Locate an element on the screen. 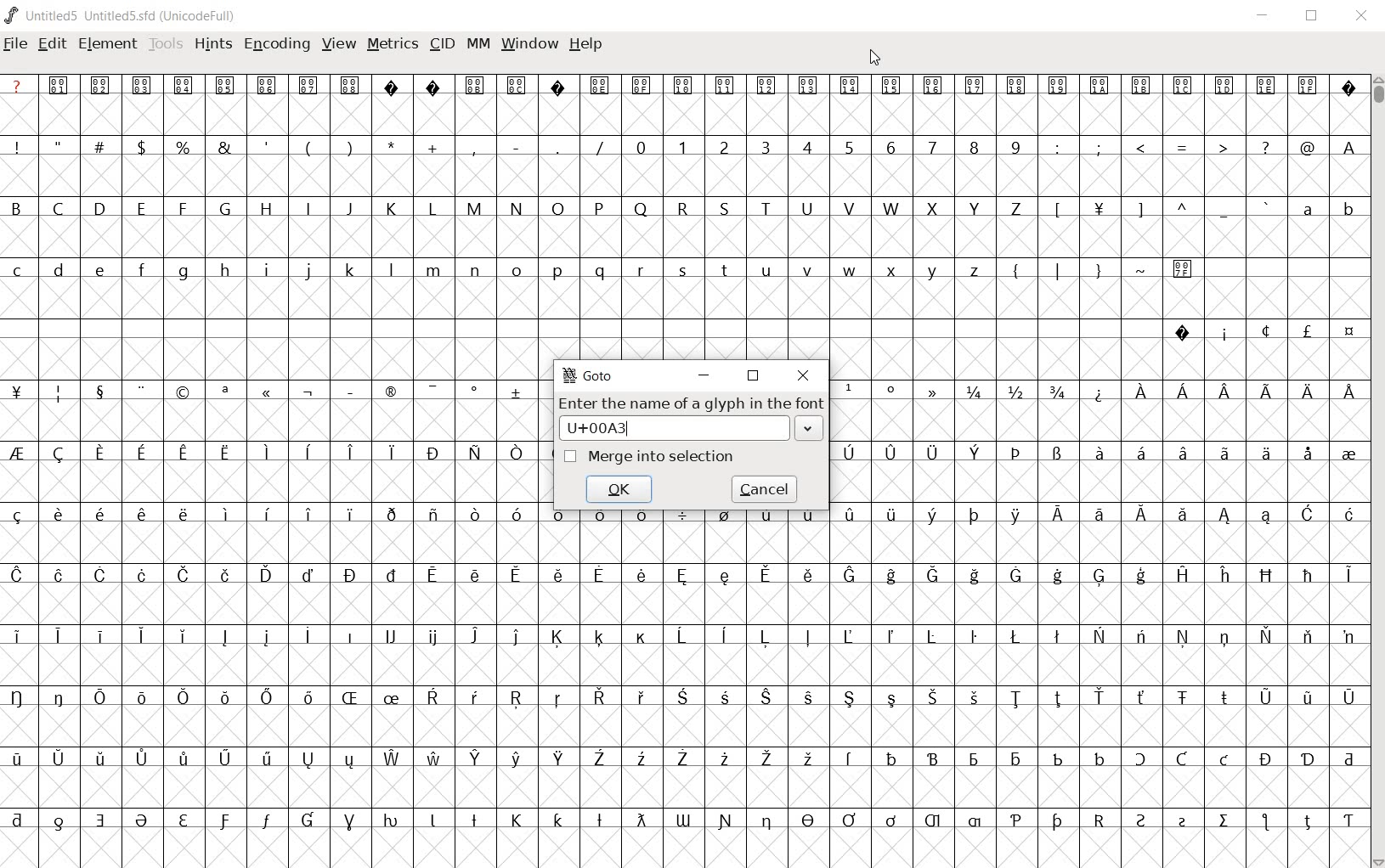 The width and height of the screenshot is (1385, 868). Symbol is located at coordinates (390, 513).